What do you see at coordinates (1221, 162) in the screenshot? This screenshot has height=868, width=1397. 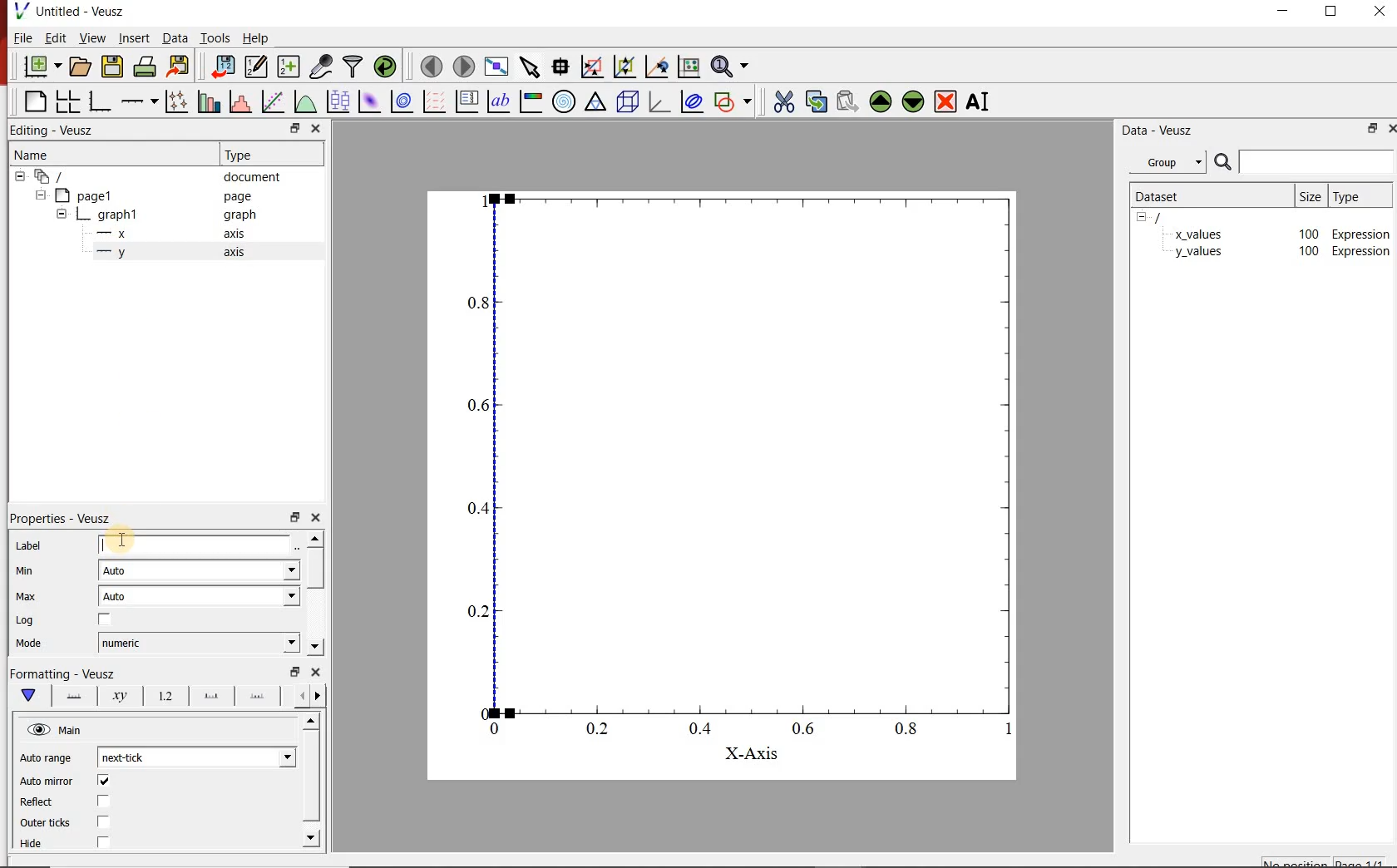 I see `search` at bounding box center [1221, 162].